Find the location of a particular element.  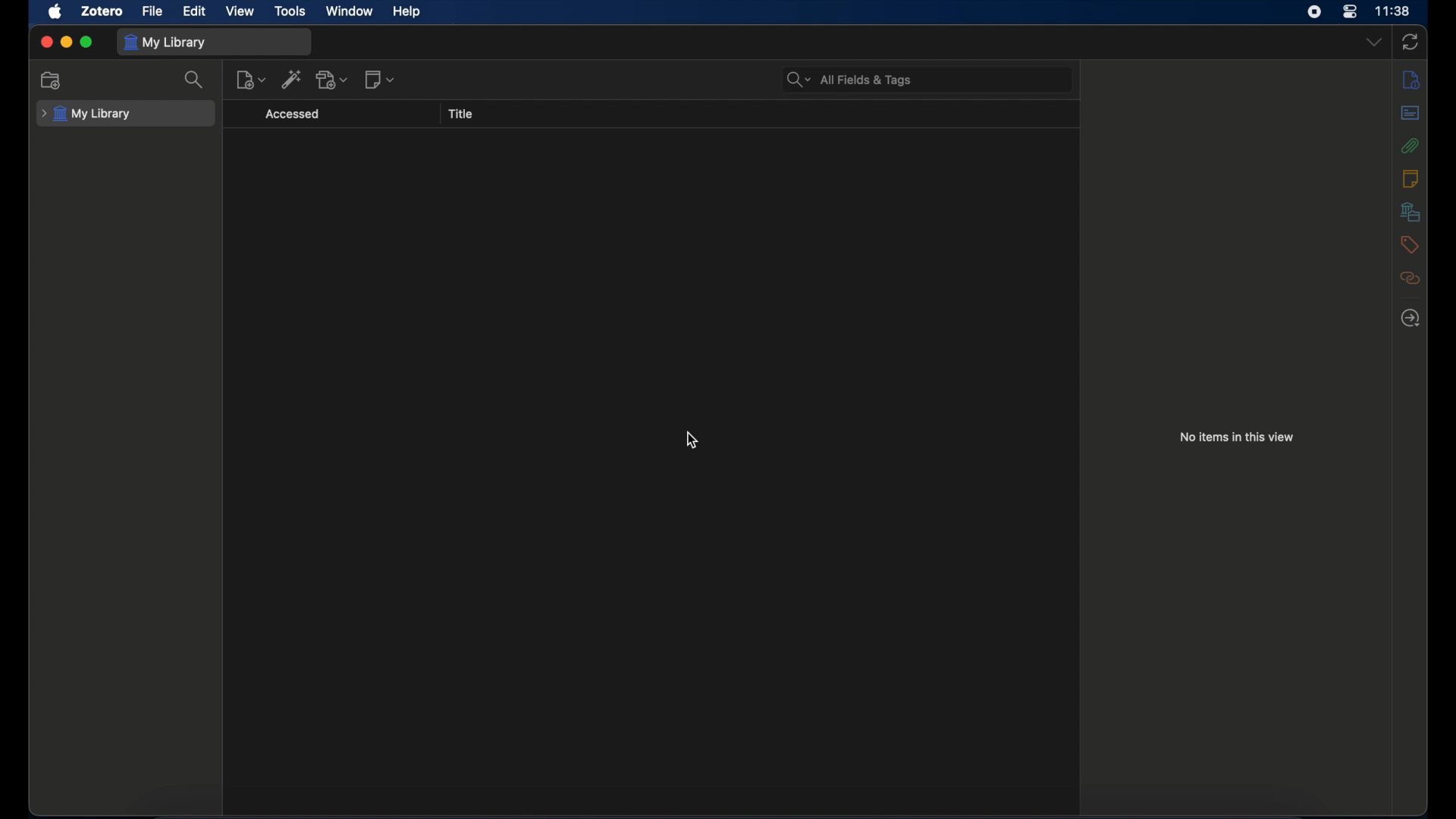

accessed is located at coordinates (293, 115).